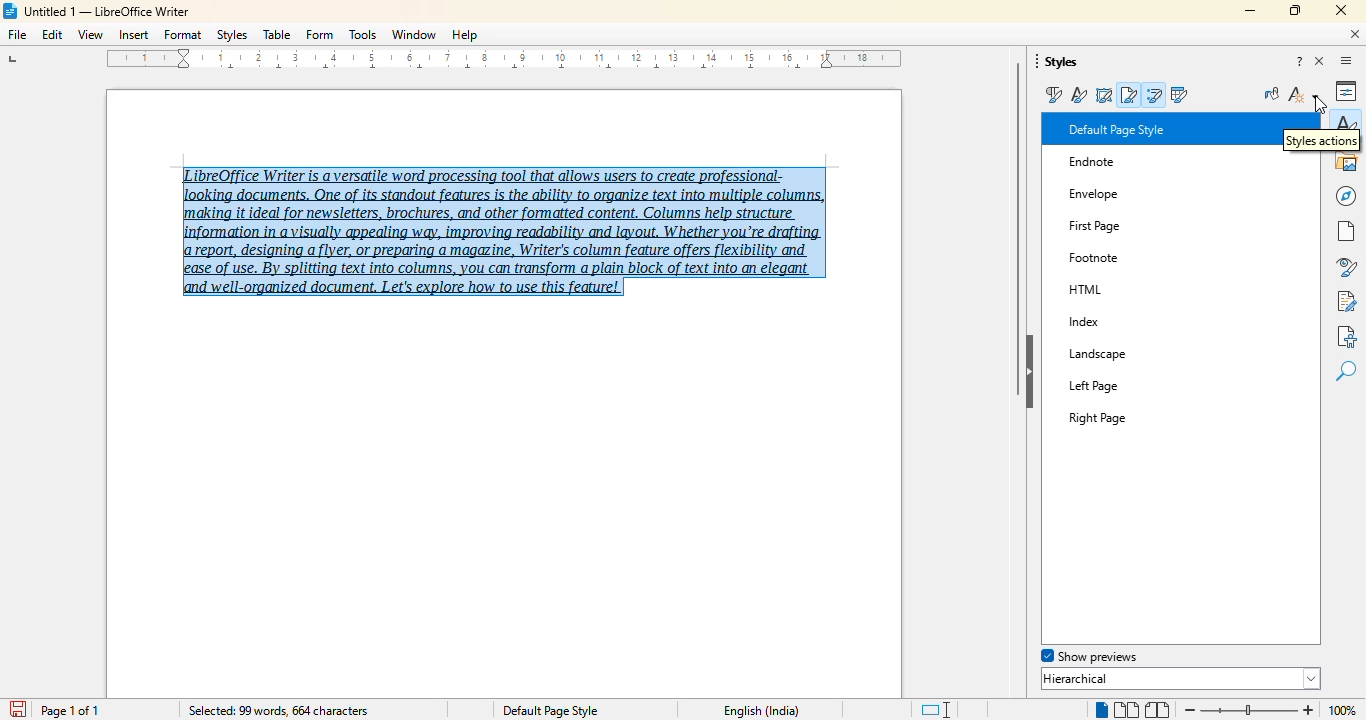 The width and height of the screenshot is (1366, 720). What do you see at coordinates (183, 34) in the screenshot?
I see `format` at bounding box center [183, 34].